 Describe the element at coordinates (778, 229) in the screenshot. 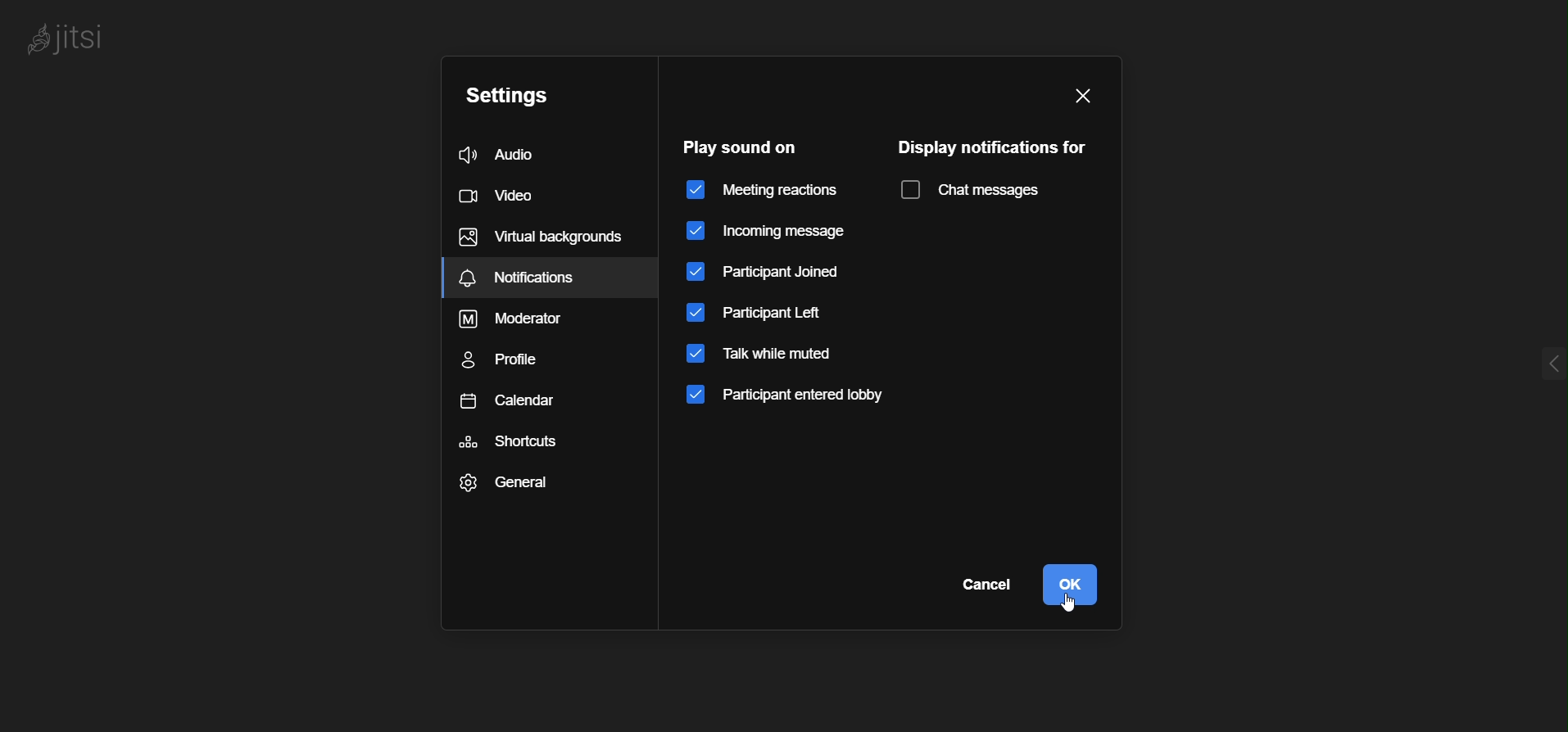

I see `incoming message` at that location.